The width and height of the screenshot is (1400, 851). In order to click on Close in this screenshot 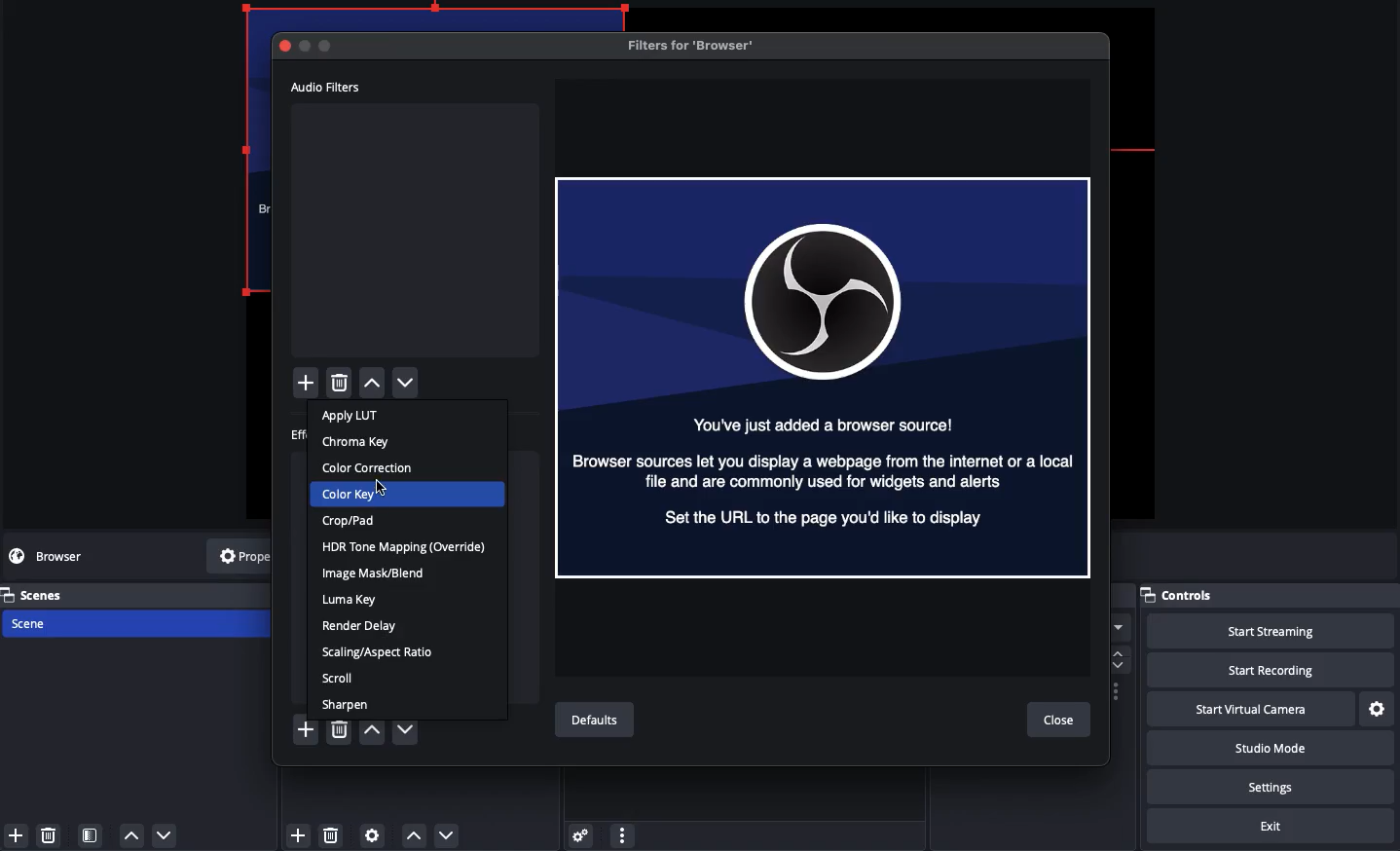, I will do `click(1060, 721)`.